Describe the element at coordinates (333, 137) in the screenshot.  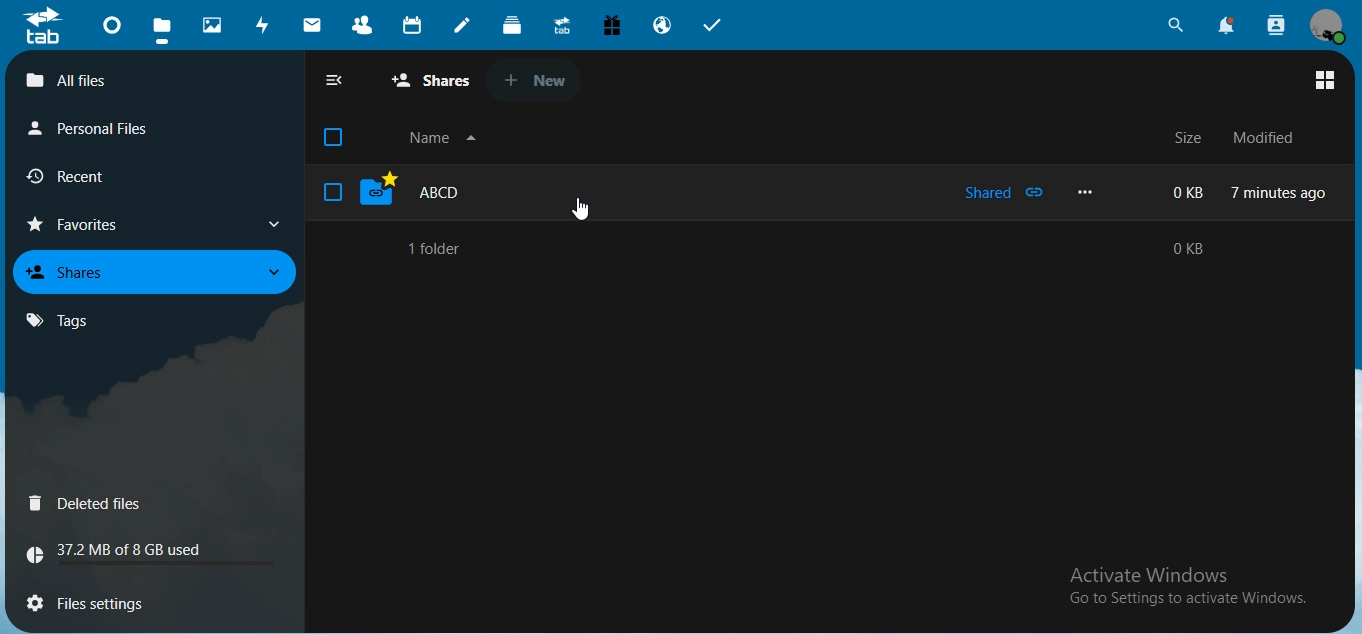
I see `check box` at that location.